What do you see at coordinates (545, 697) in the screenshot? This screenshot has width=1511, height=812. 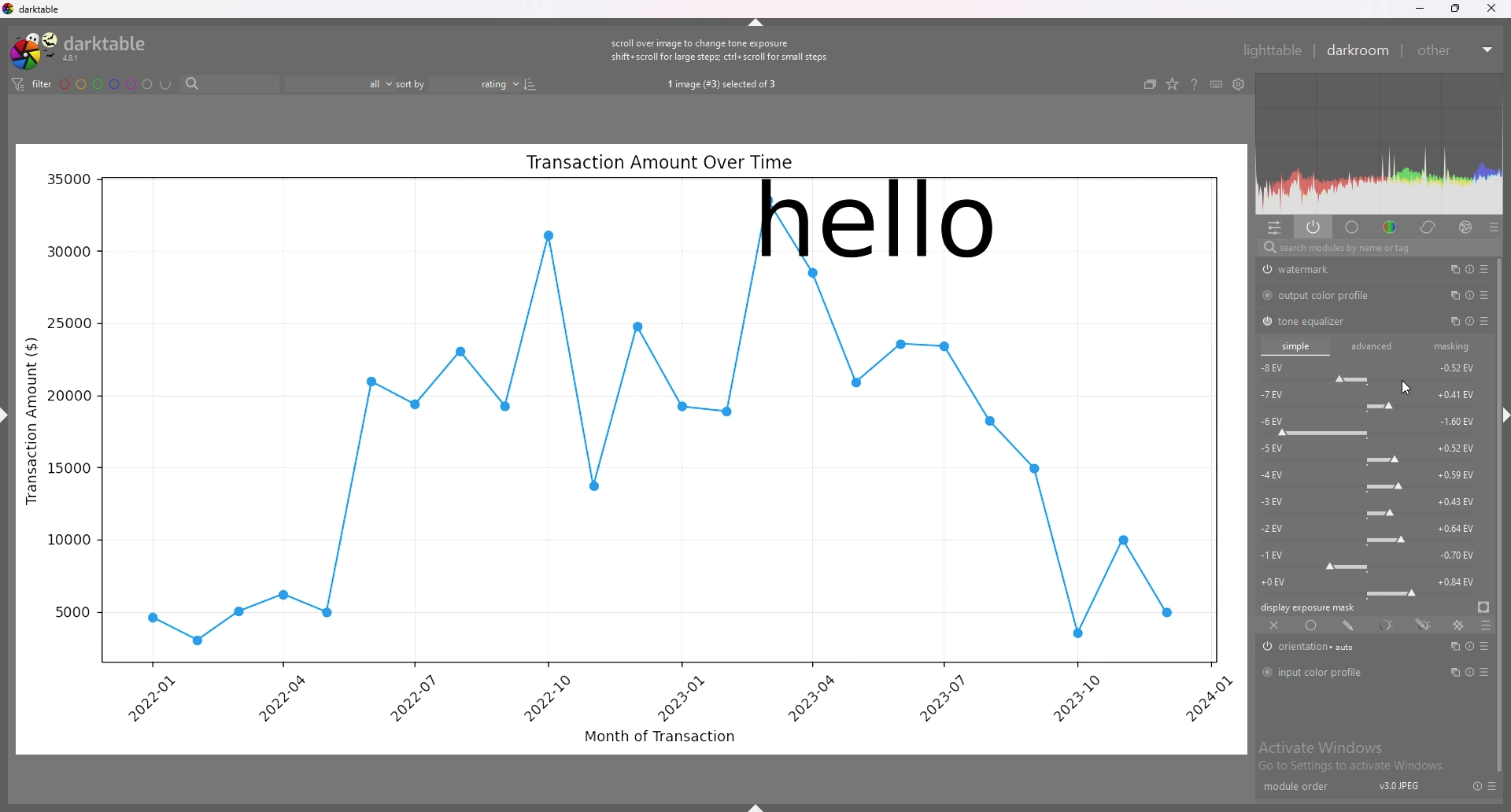 I see `2022-10` at bounding box center [545, 697].